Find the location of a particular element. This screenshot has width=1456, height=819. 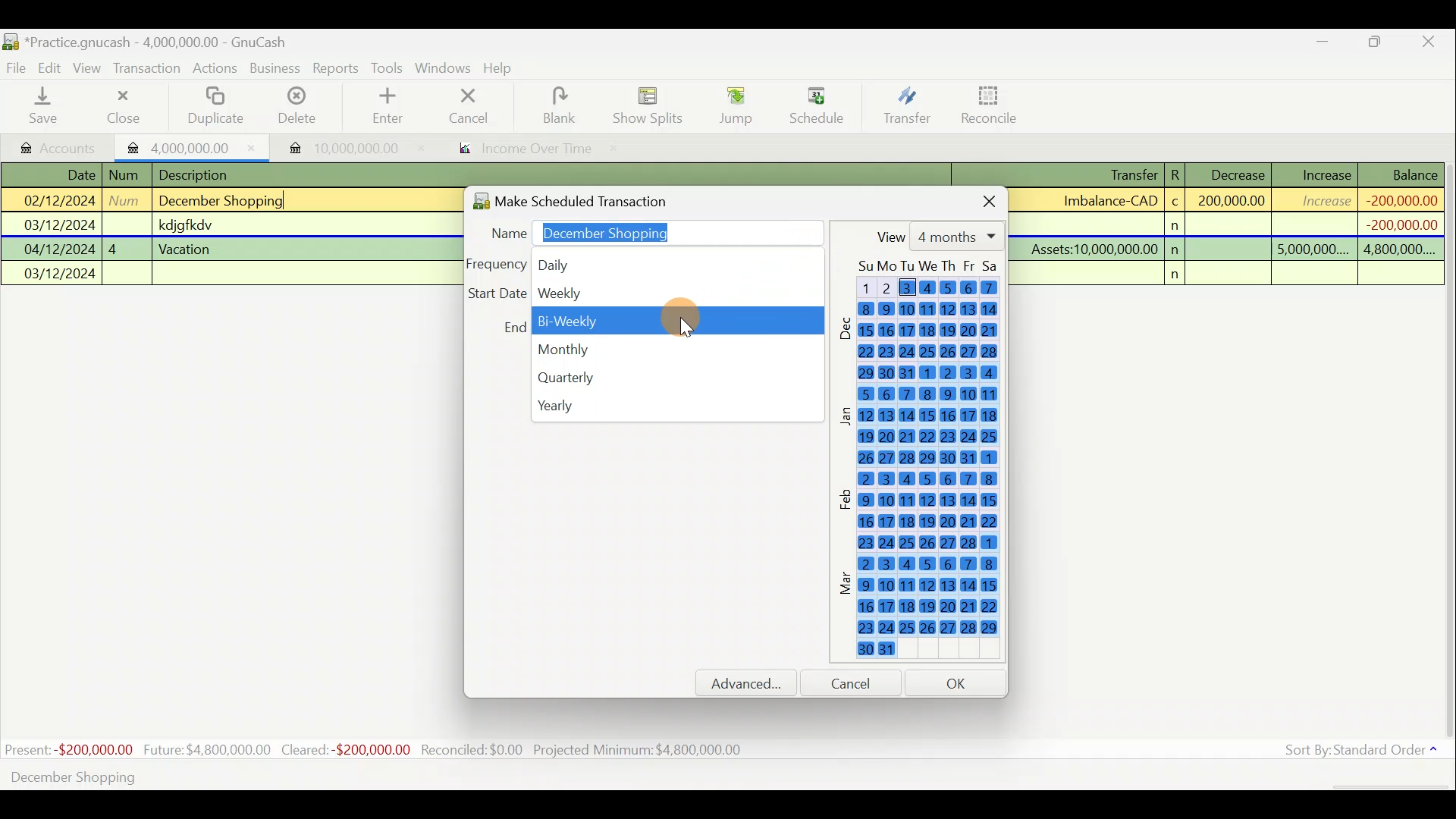

Document name is located at coordinates (163, 43).